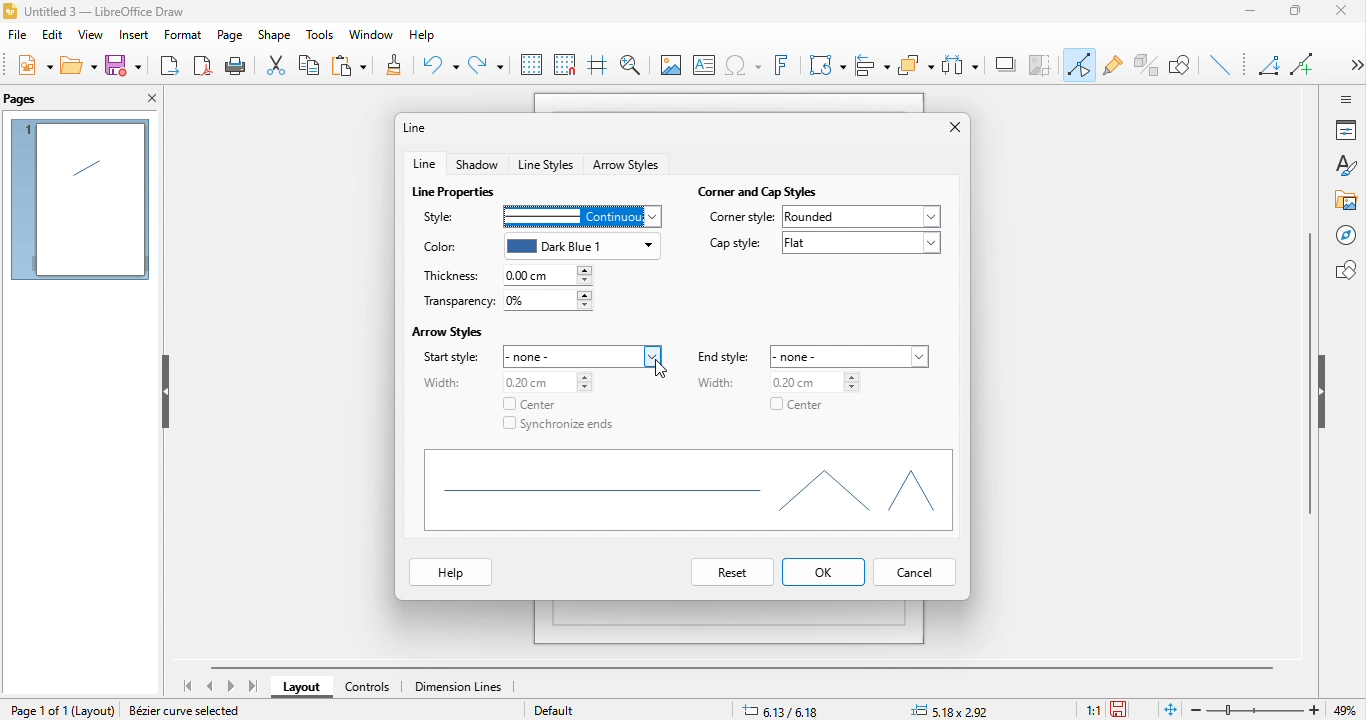 The width and height of the screenshot is (1366, 720). Describe the element at coordinates (1325, 392) in the screenshot. I see `hide` at that location.